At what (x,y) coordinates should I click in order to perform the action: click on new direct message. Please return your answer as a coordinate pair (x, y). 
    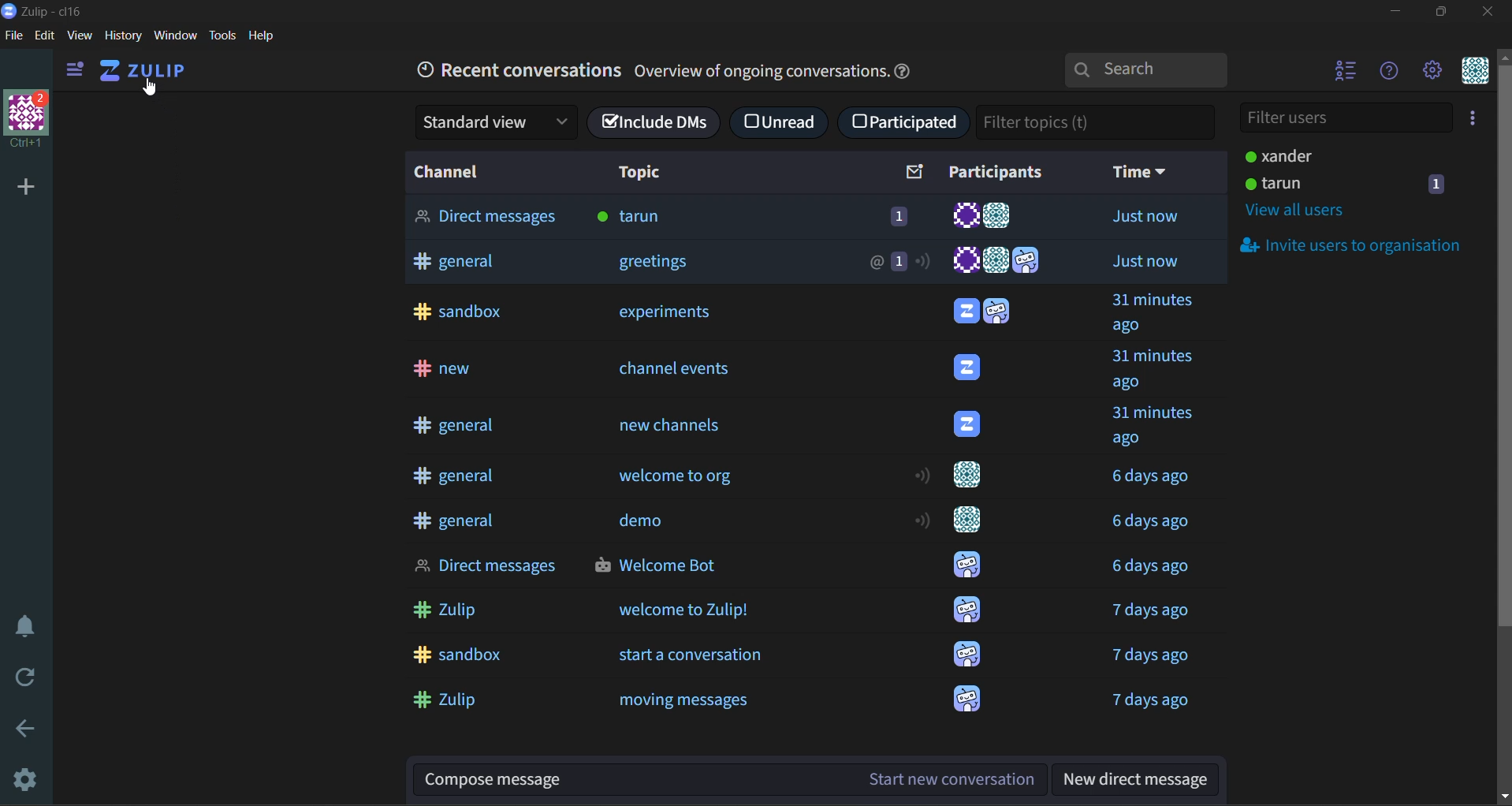
    Looking at the image, I should click on (1132, 782).